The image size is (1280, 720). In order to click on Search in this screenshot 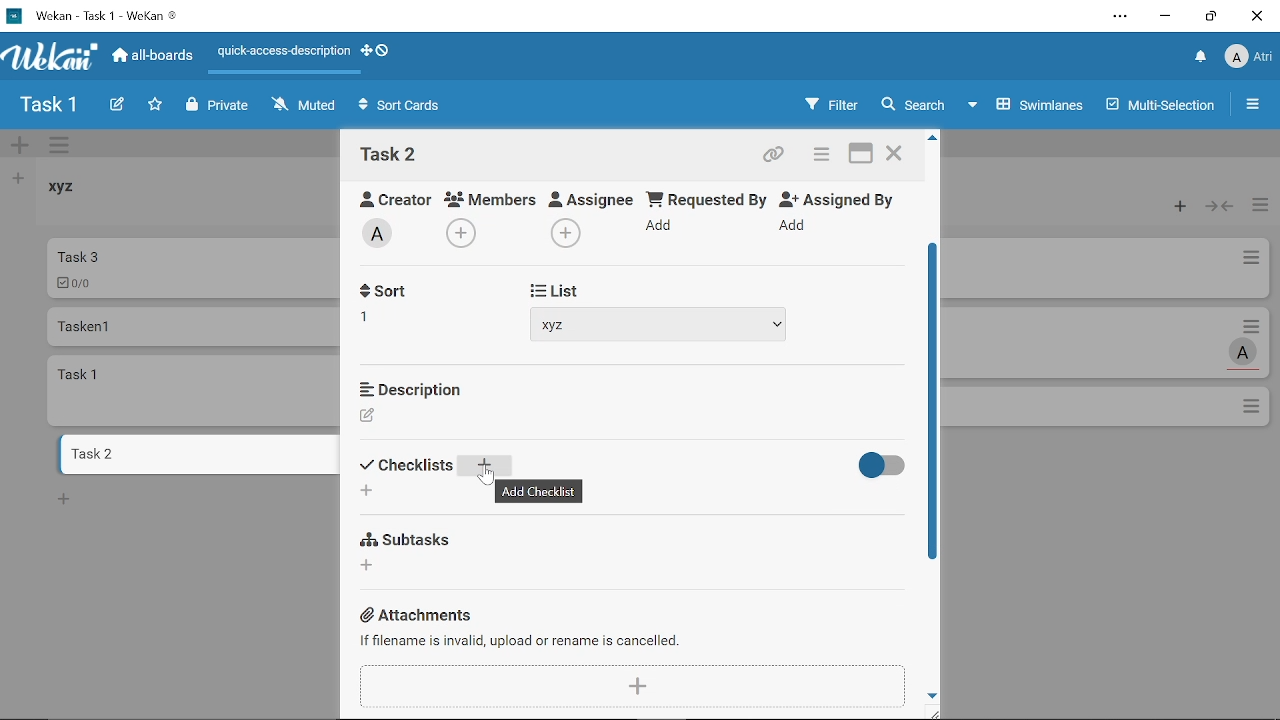, I will do `click(912, 105)`.